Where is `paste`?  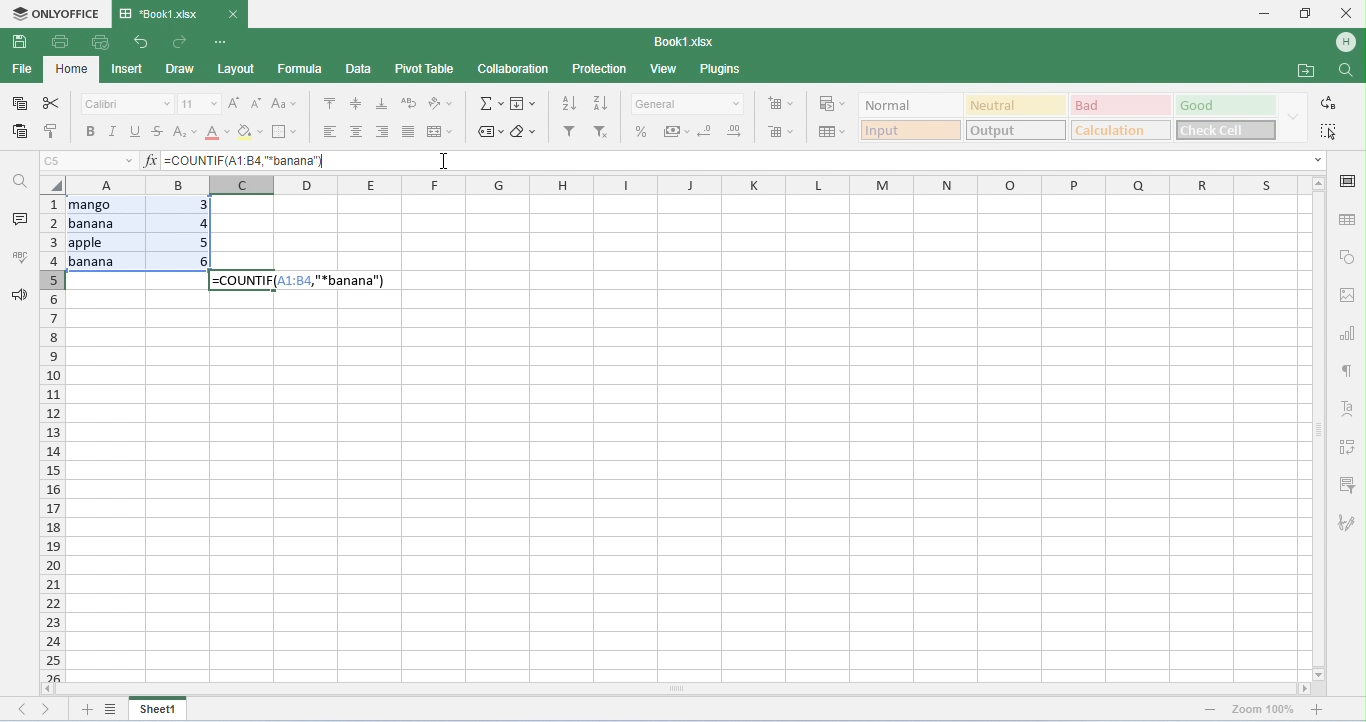 paste is located at coordinates (21, 131).